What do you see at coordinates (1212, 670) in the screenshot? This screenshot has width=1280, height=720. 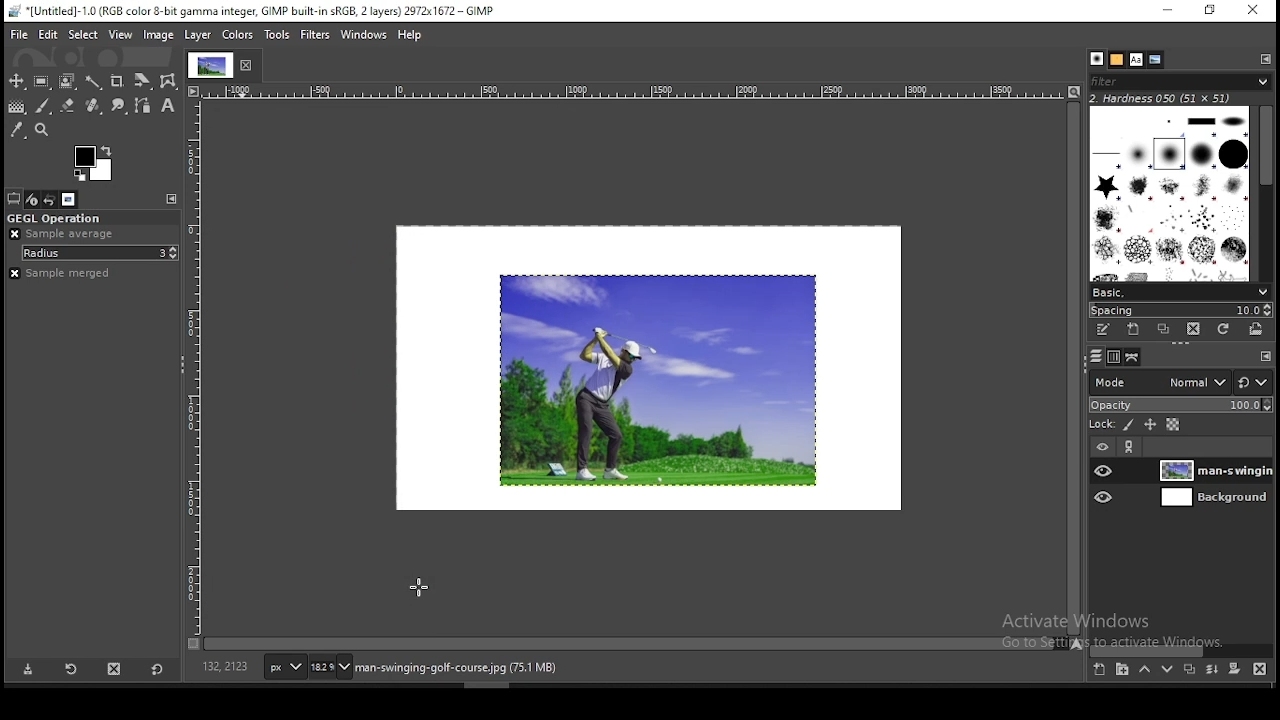 I see `merge layer` at bounding box center [1212, 670].